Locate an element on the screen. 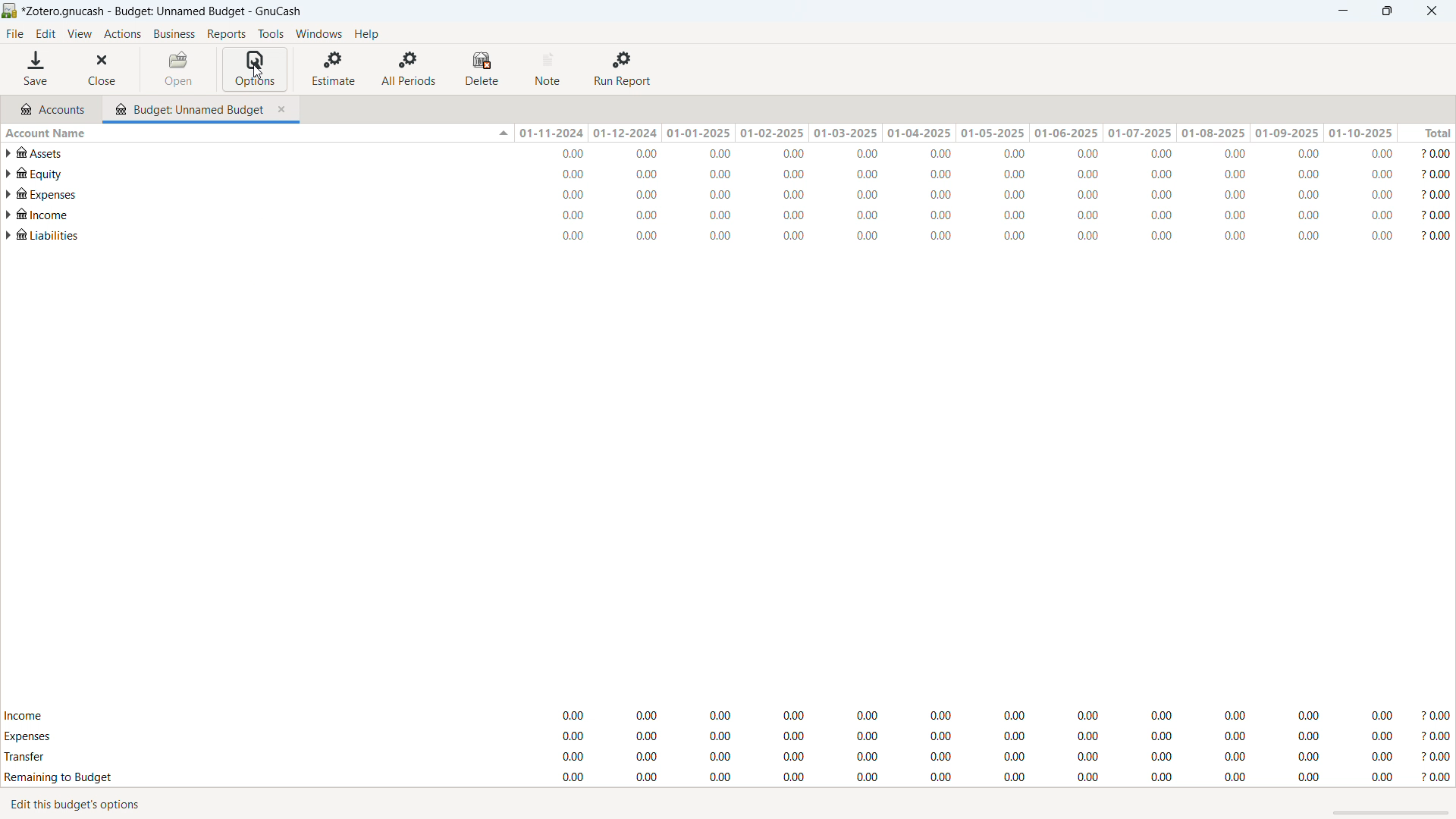 The image size is (1456, 819). expand subaccounts is located at coordinates (9, 174).